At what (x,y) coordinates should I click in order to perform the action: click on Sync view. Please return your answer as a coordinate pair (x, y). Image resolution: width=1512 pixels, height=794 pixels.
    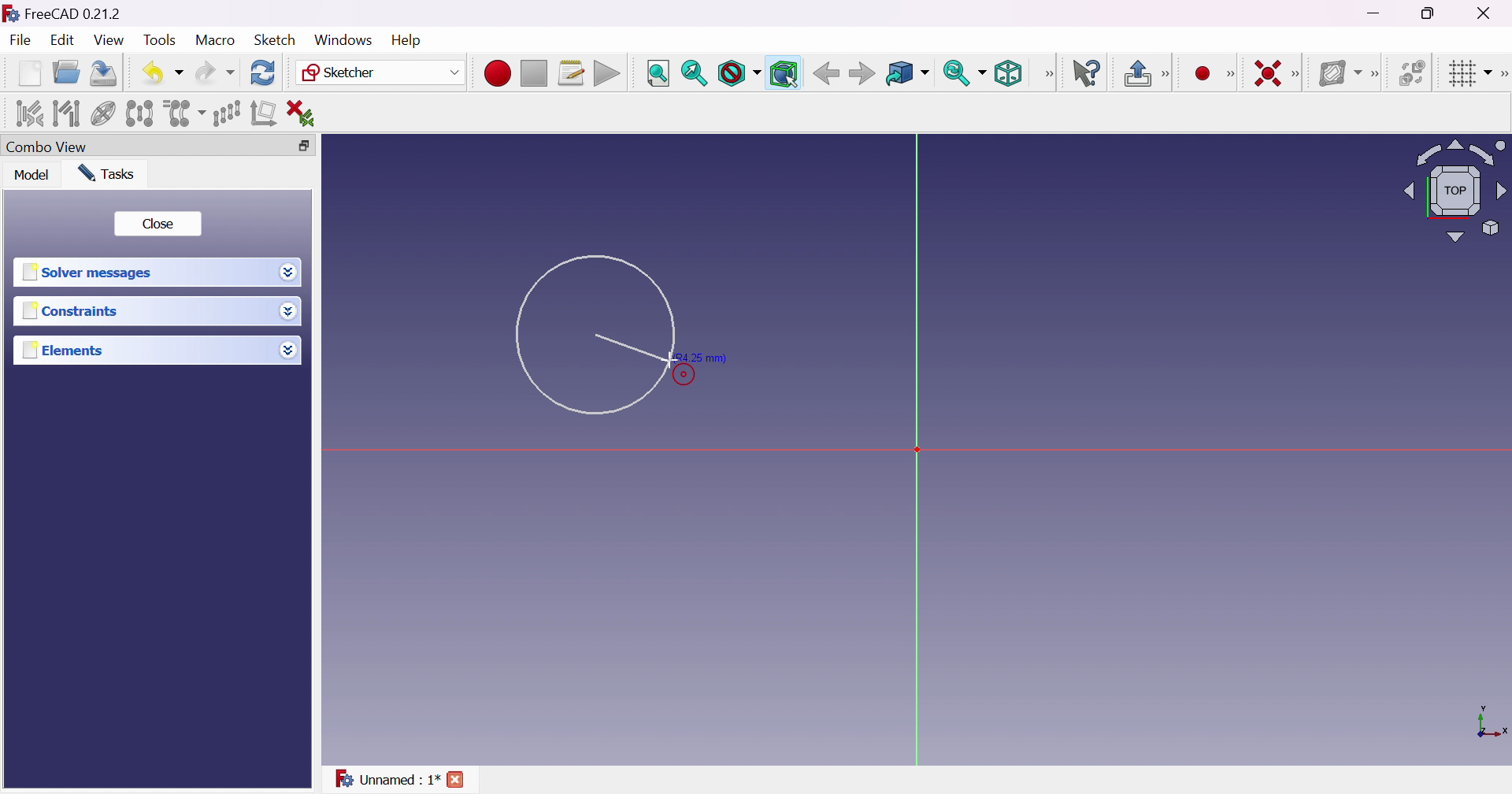
    Looking at the image, I should click on (963, 72).